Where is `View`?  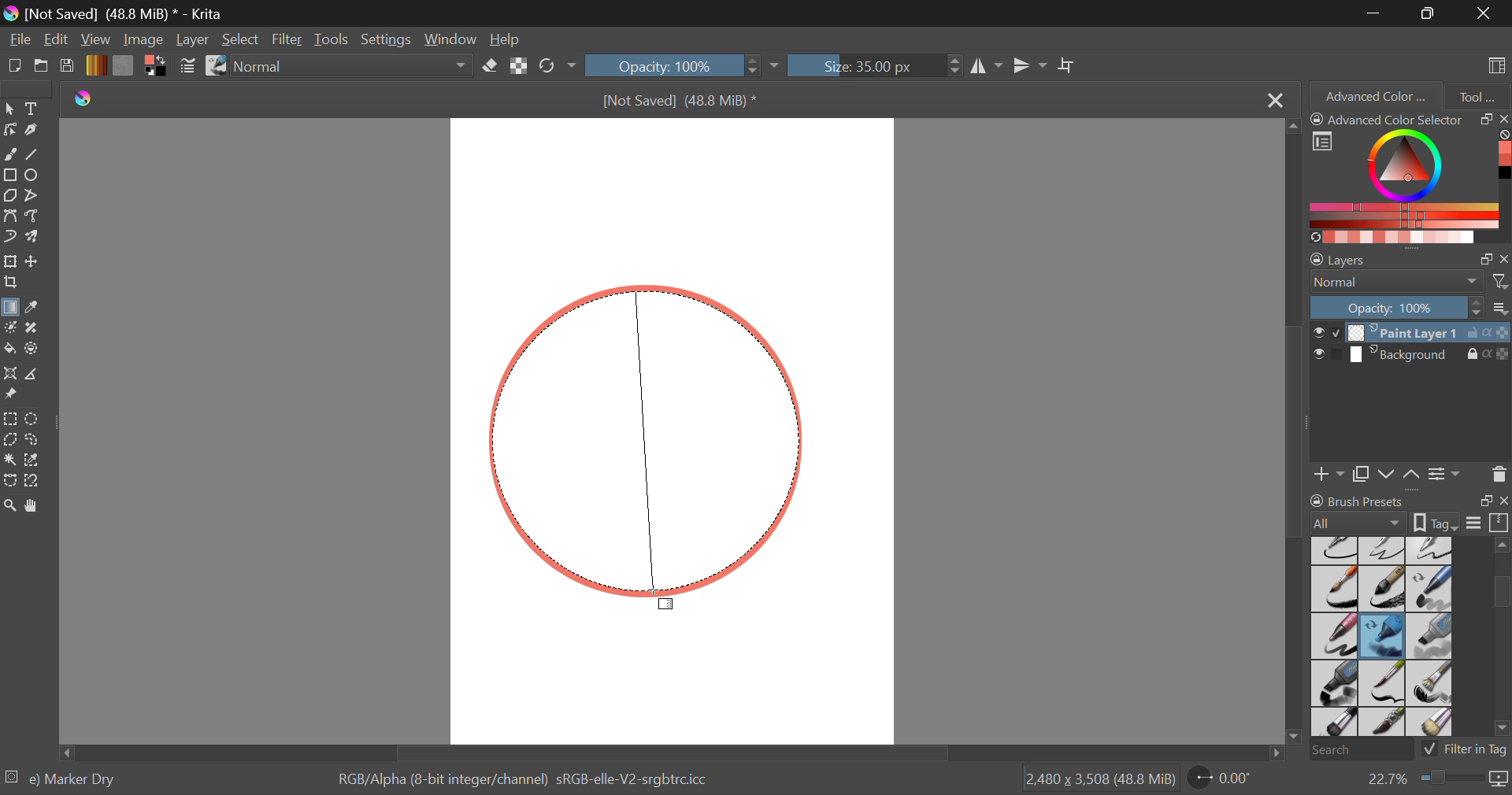 View is located at coordinates (98, 40).